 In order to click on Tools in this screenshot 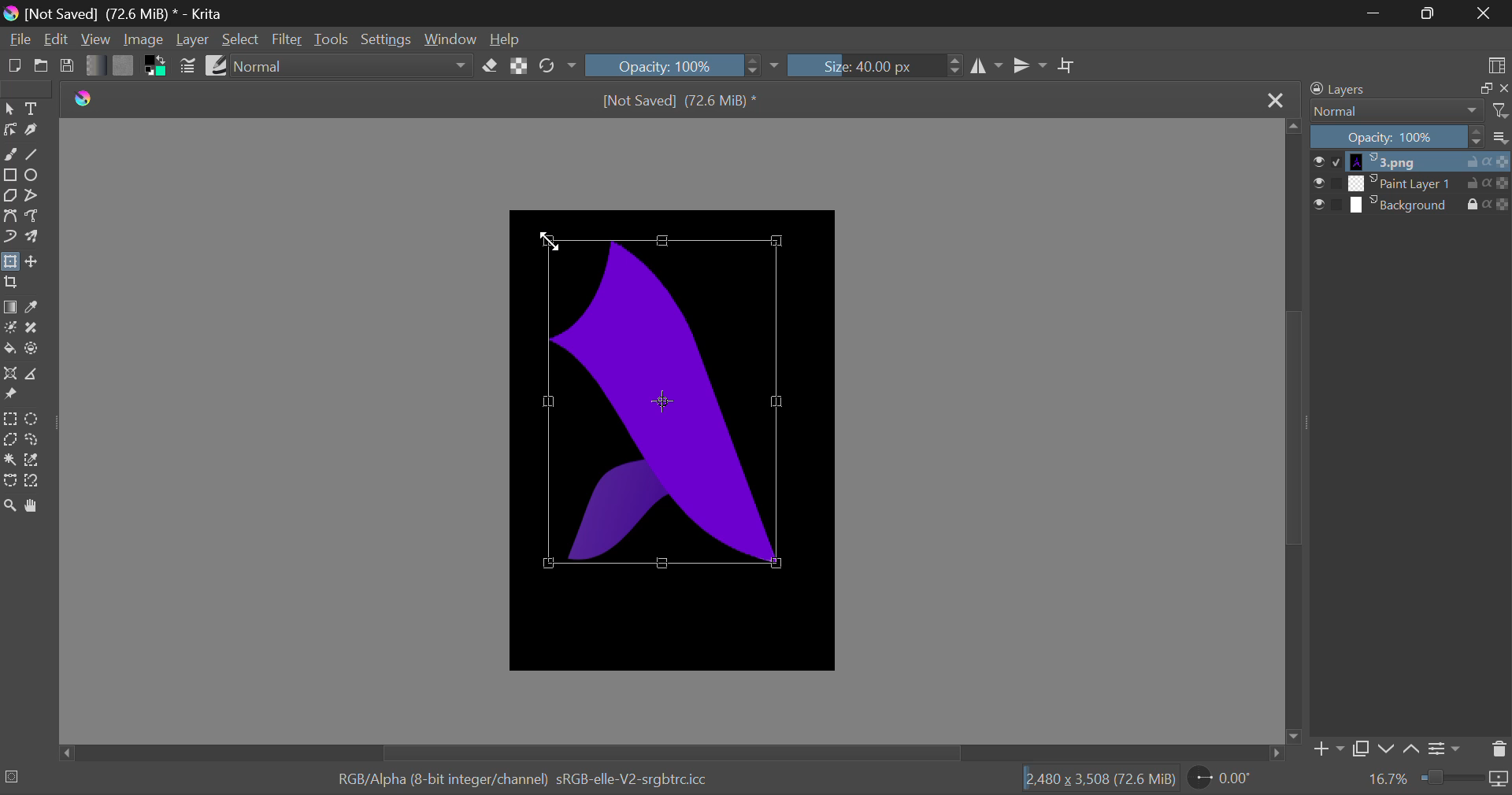, I will do `click(334, 39)`.